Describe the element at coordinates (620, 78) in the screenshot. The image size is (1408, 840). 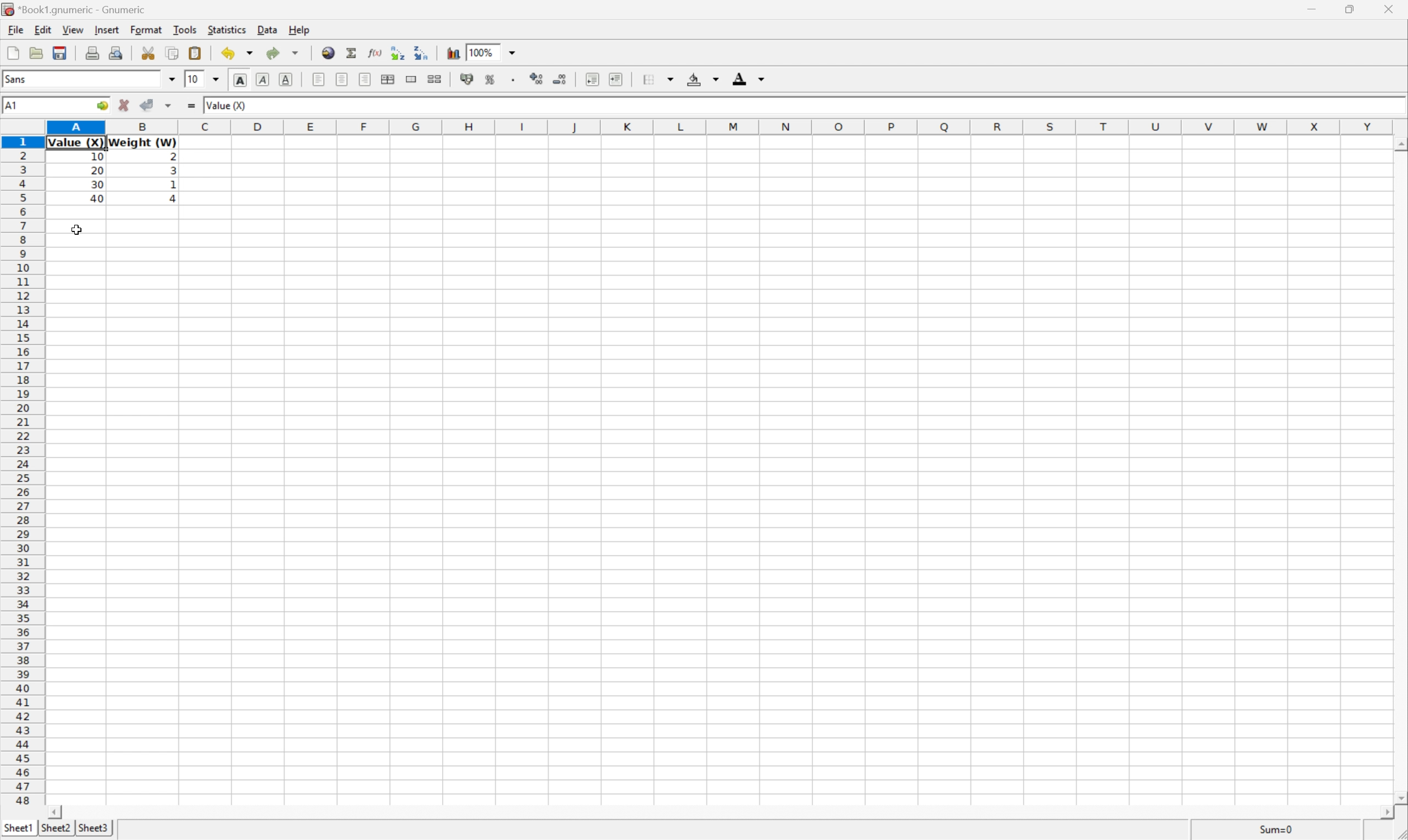
I see `Increase indent, and align the contents to the left` at that location.